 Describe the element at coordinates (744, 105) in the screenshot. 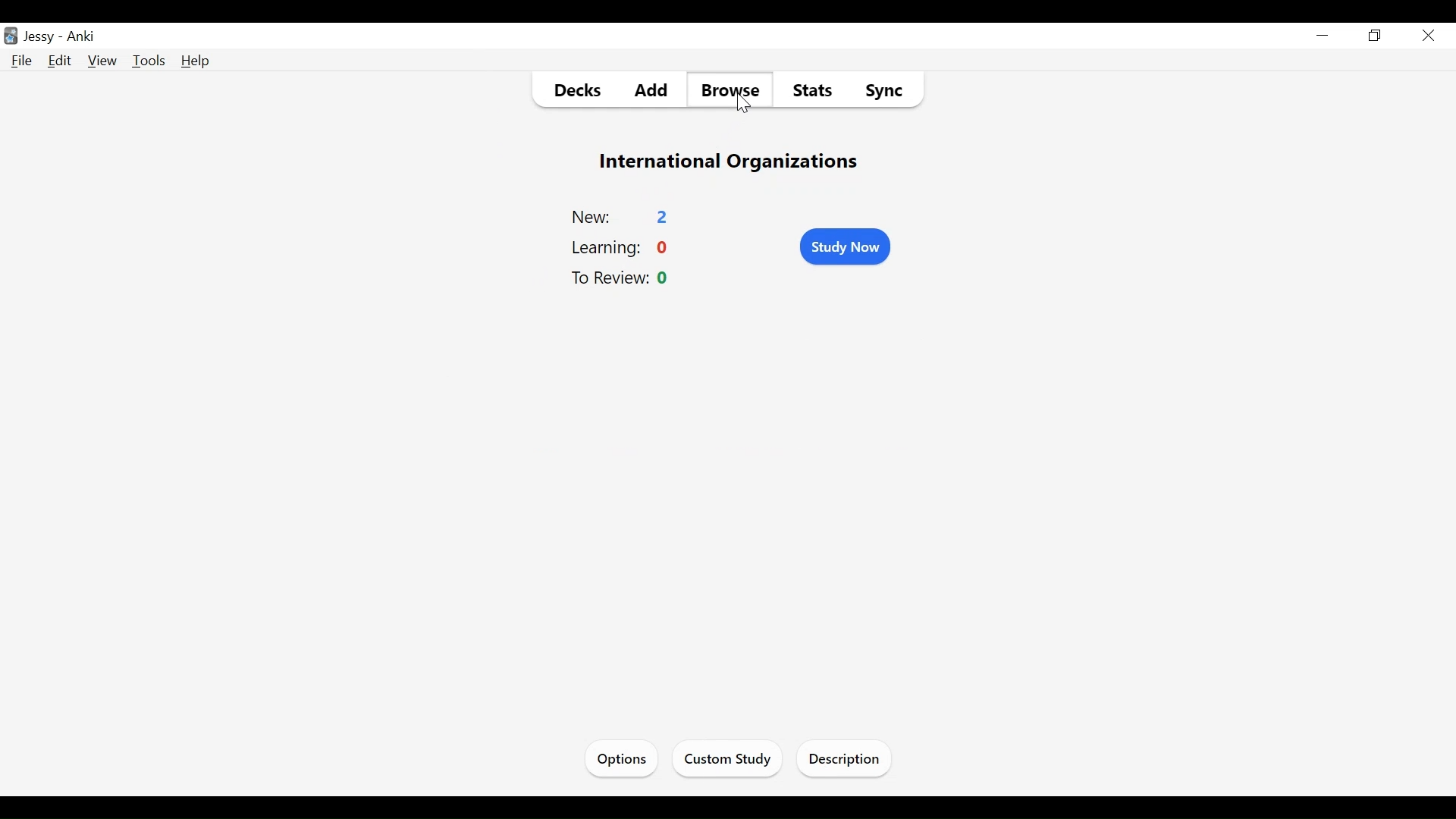

I see `Cursor` at that location.